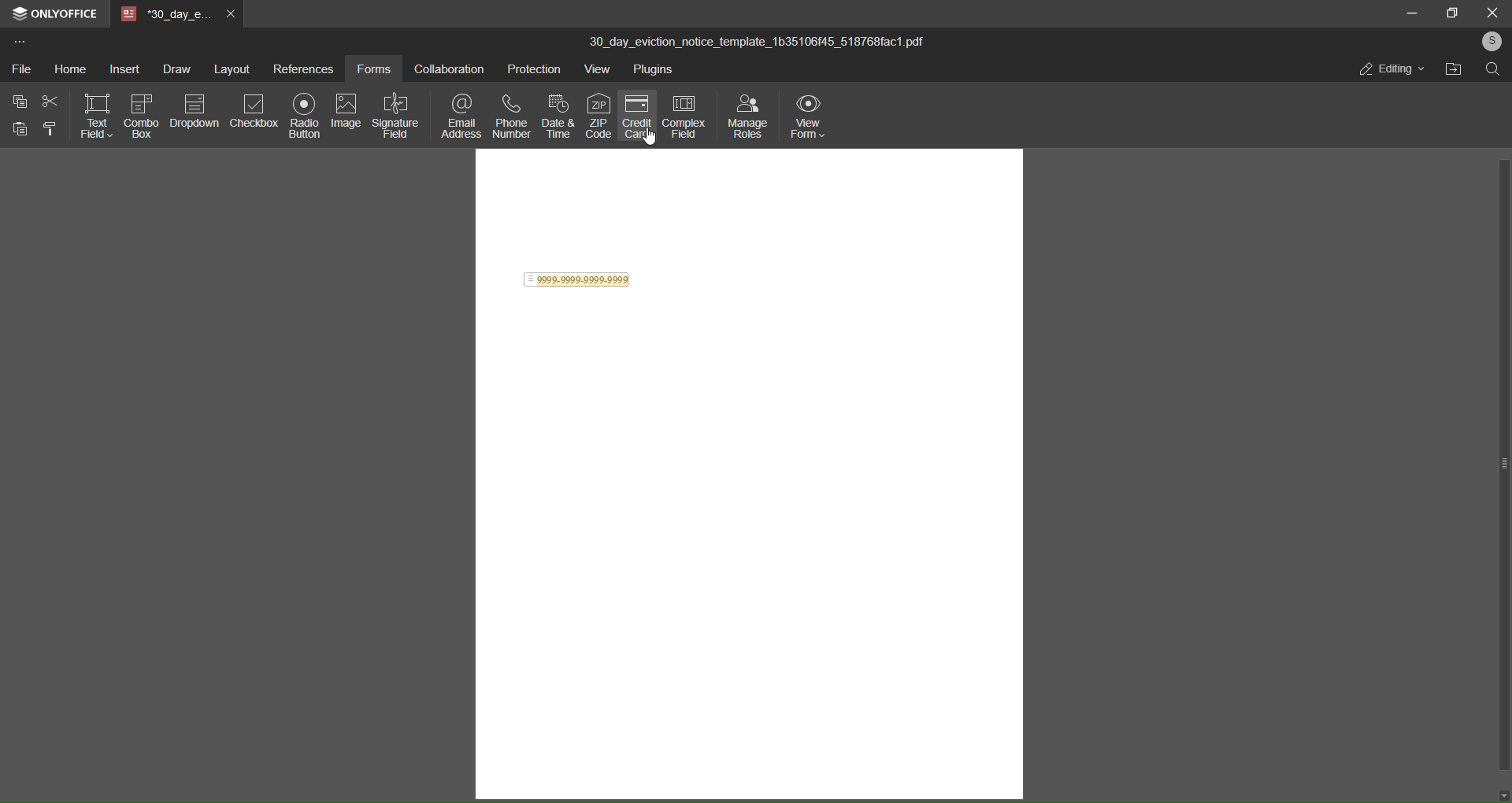  What do you see at coordinates (1507, 464) in the screenshot?
I see `scroll bar` at bounding box center [1507, 464].